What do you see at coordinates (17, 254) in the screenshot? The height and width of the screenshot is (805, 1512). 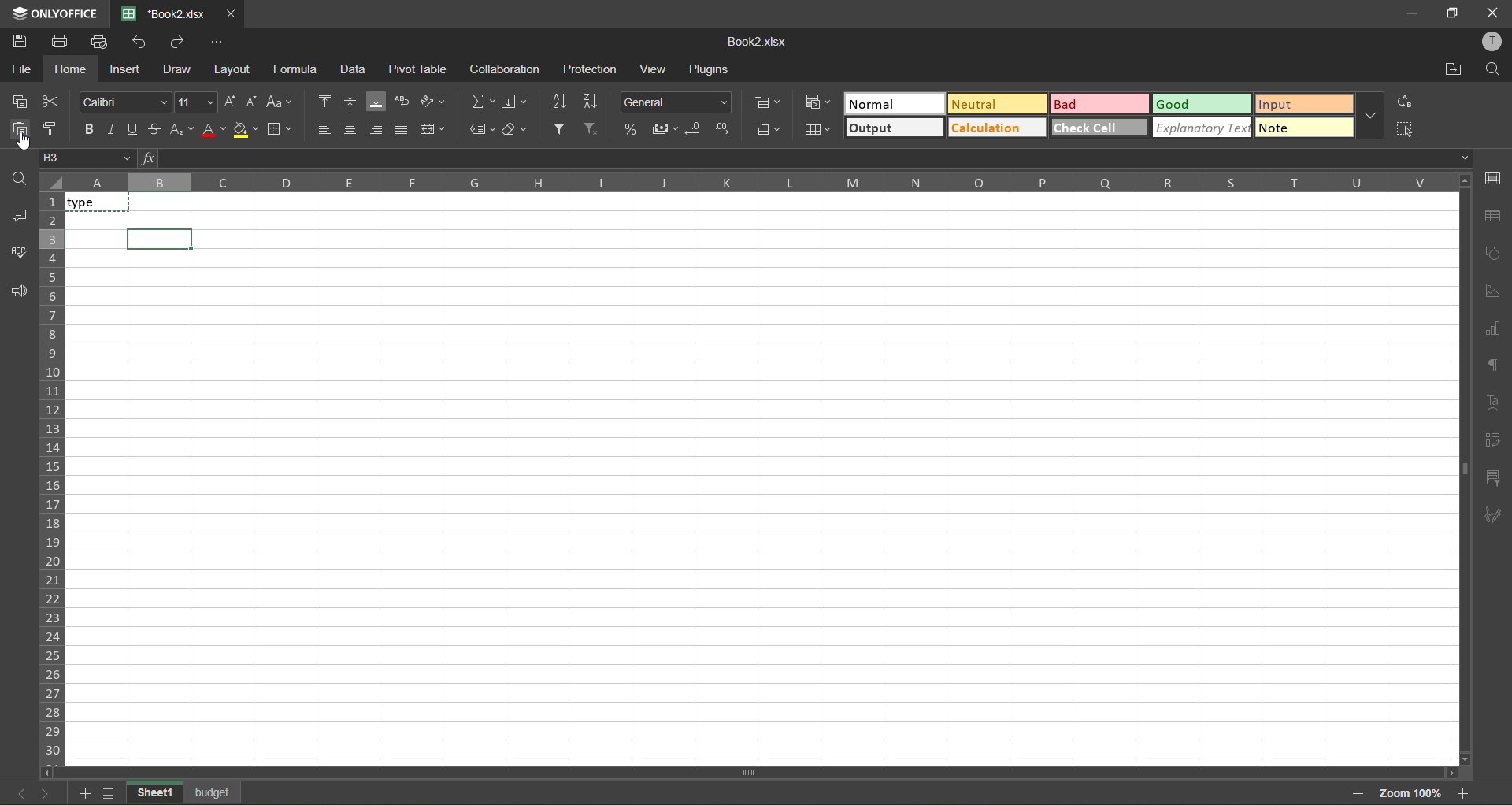 I see `spellcheck` at bounding box center [17, 254].